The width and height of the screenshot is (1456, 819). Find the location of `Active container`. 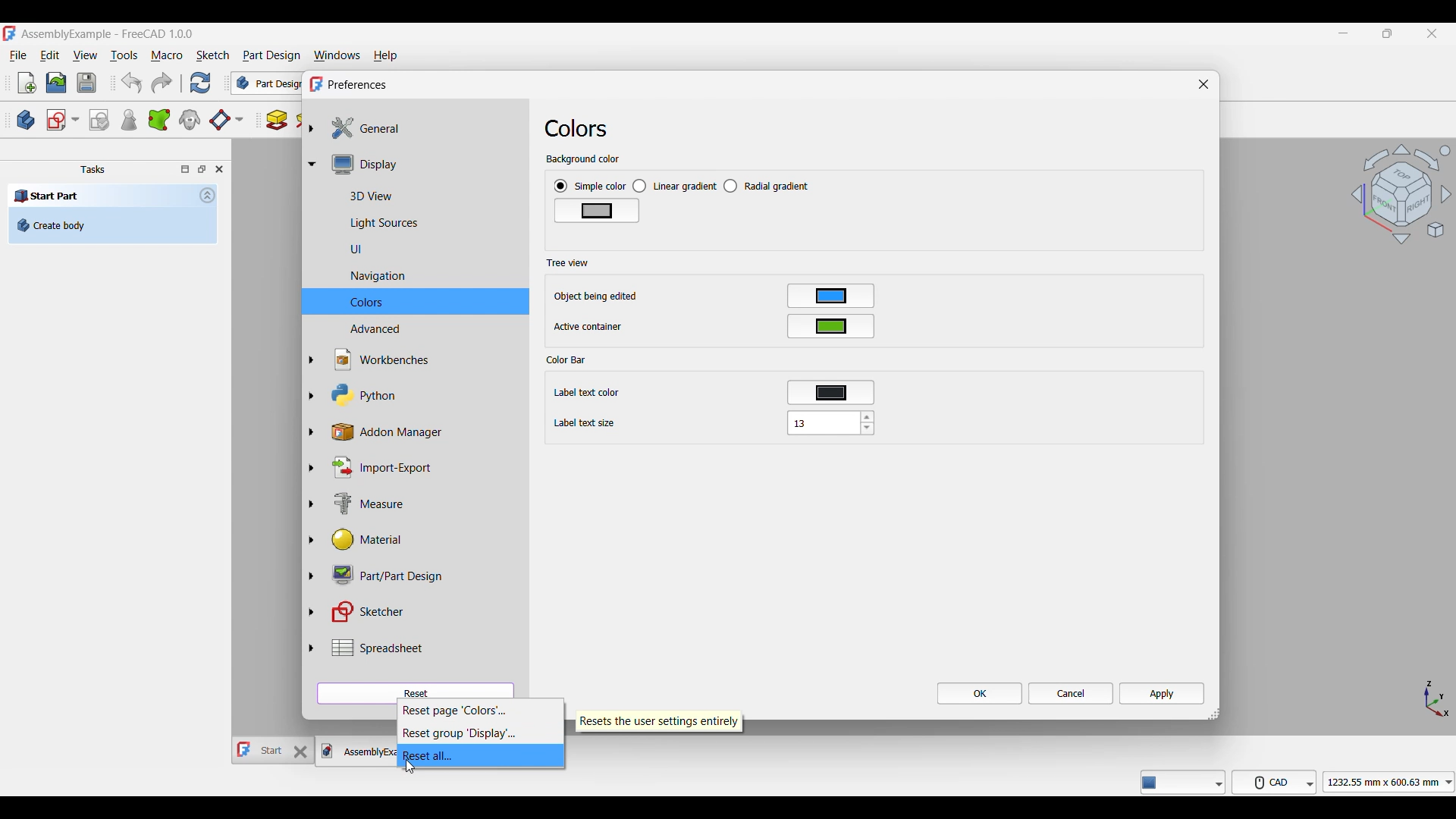

Active container is located at coordinates (589, 327).